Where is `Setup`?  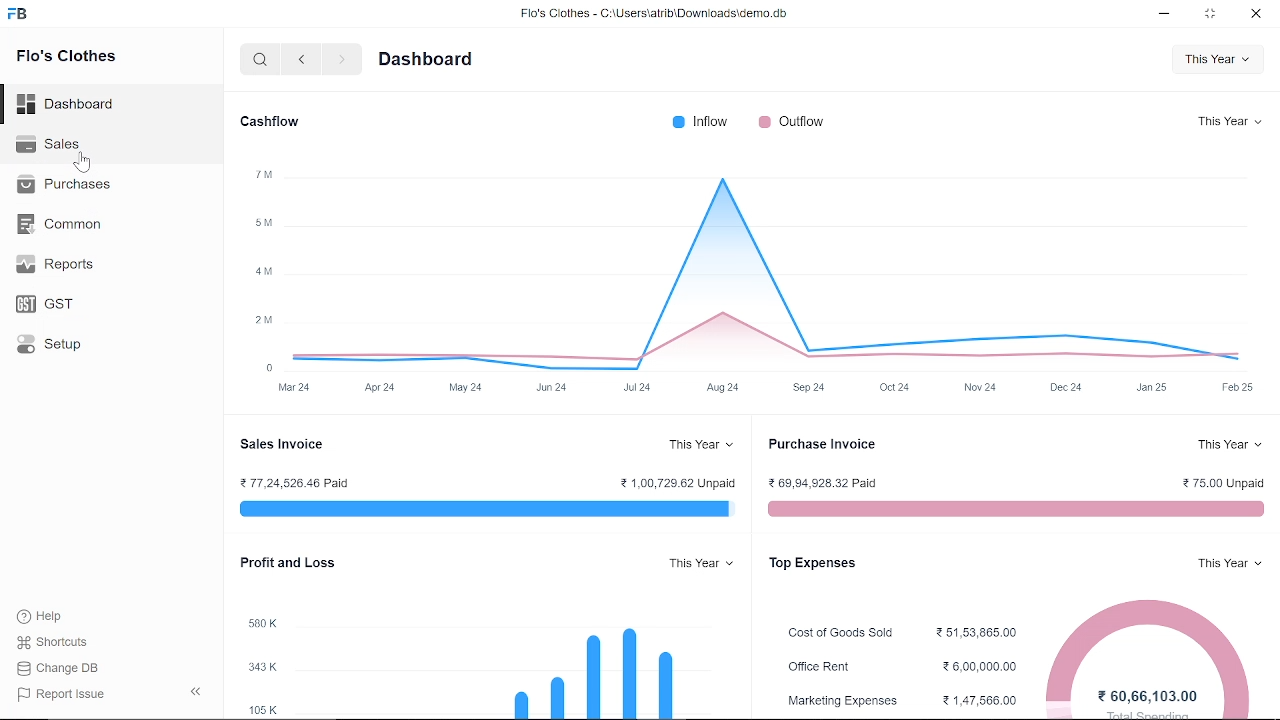 Setup is located at coordinates (71, 341).